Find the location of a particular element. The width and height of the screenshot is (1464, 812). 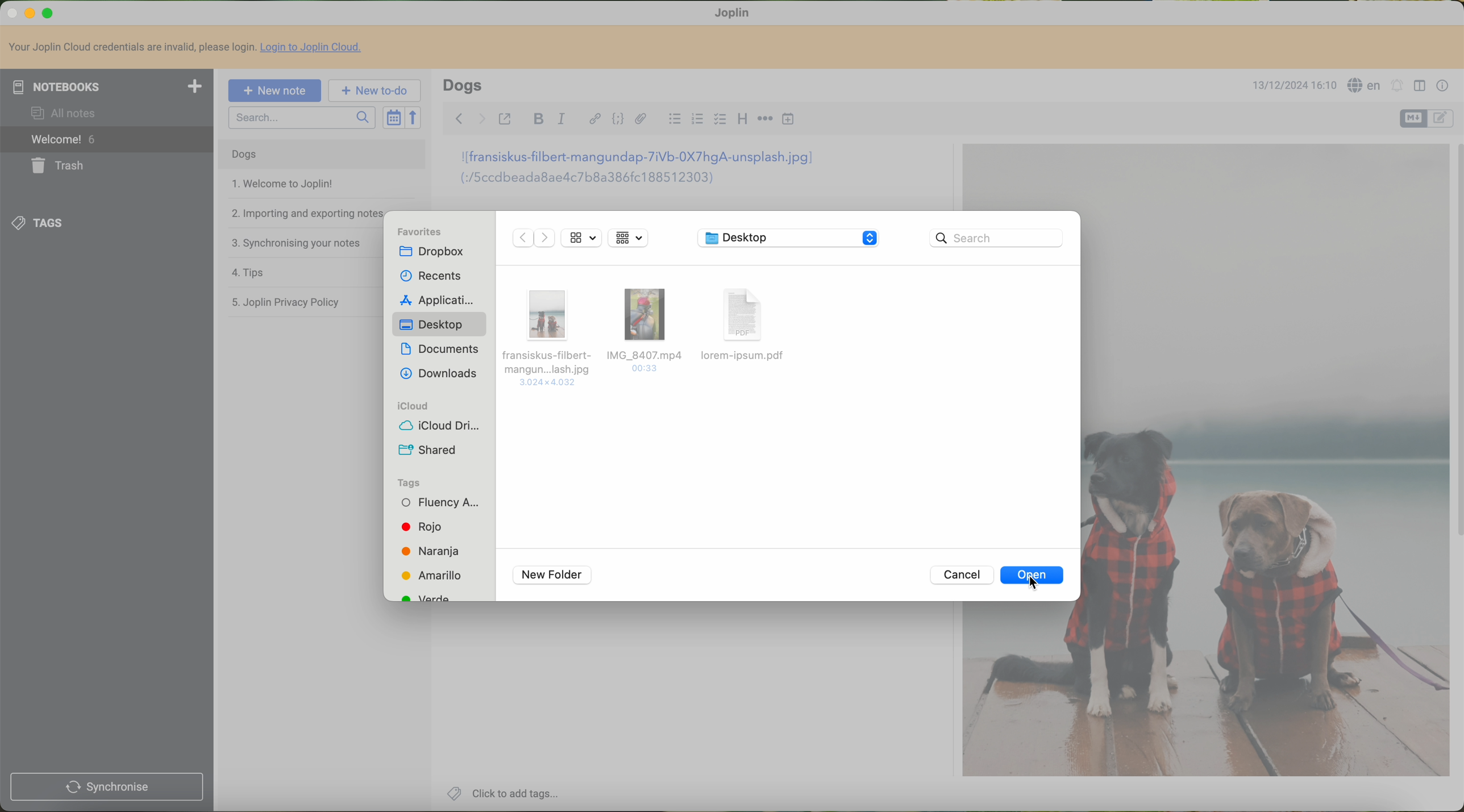

dogs image is located at coordinates (1020, 177).